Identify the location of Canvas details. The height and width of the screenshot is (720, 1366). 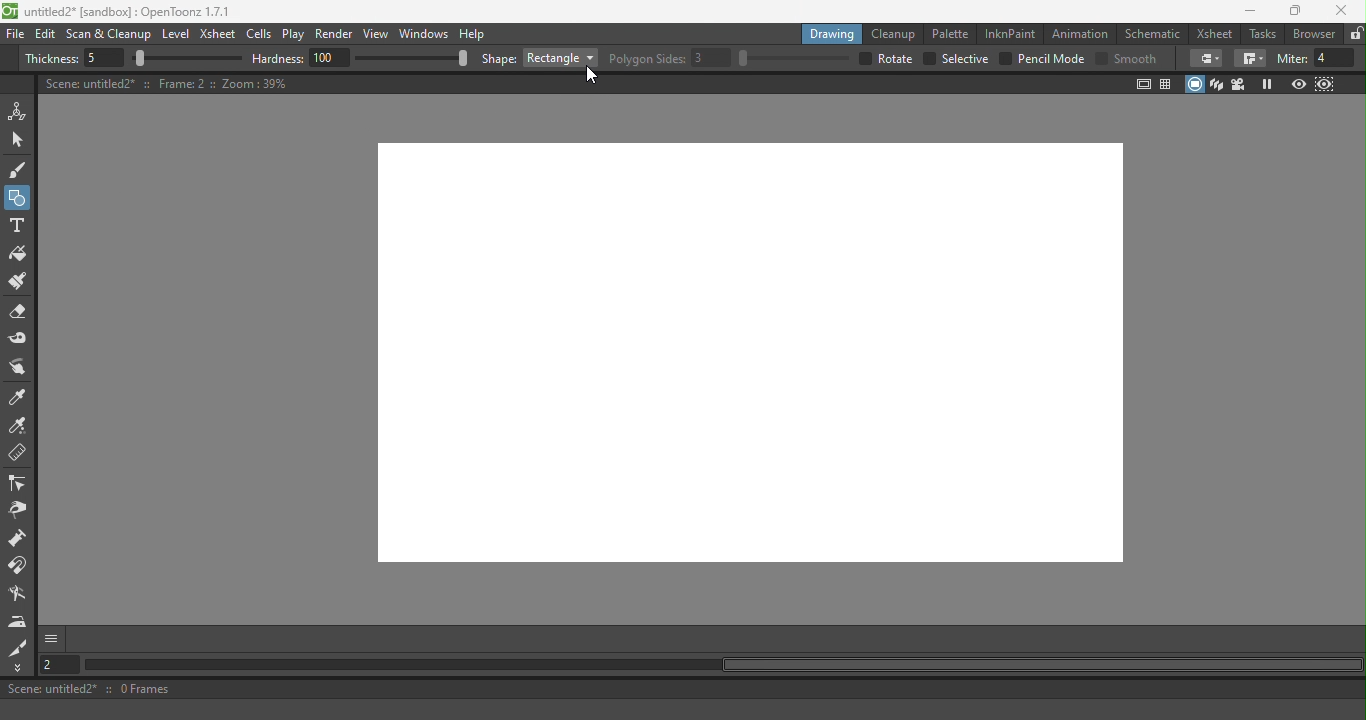
(167, 84).